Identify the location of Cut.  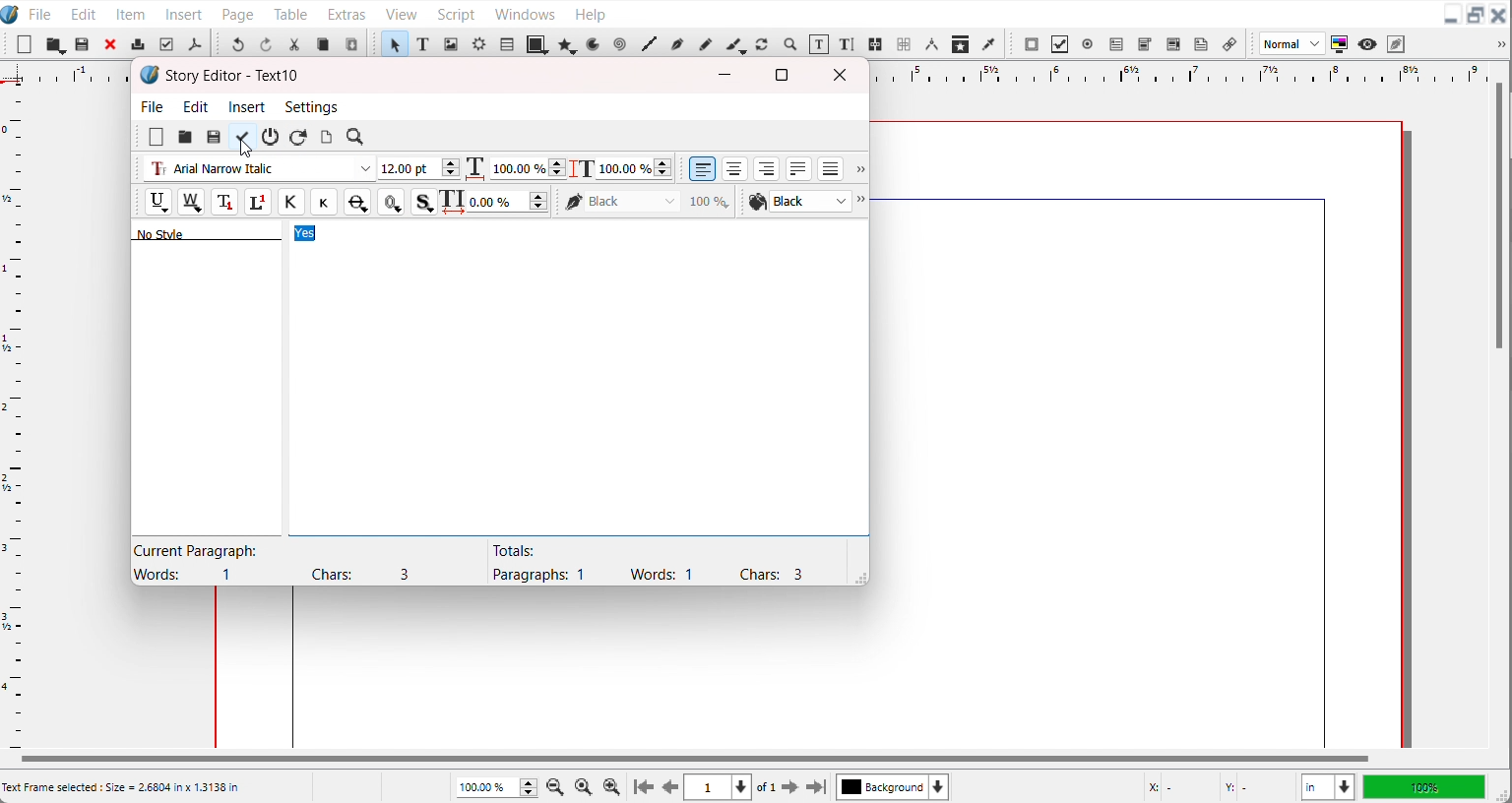
(294, 44).